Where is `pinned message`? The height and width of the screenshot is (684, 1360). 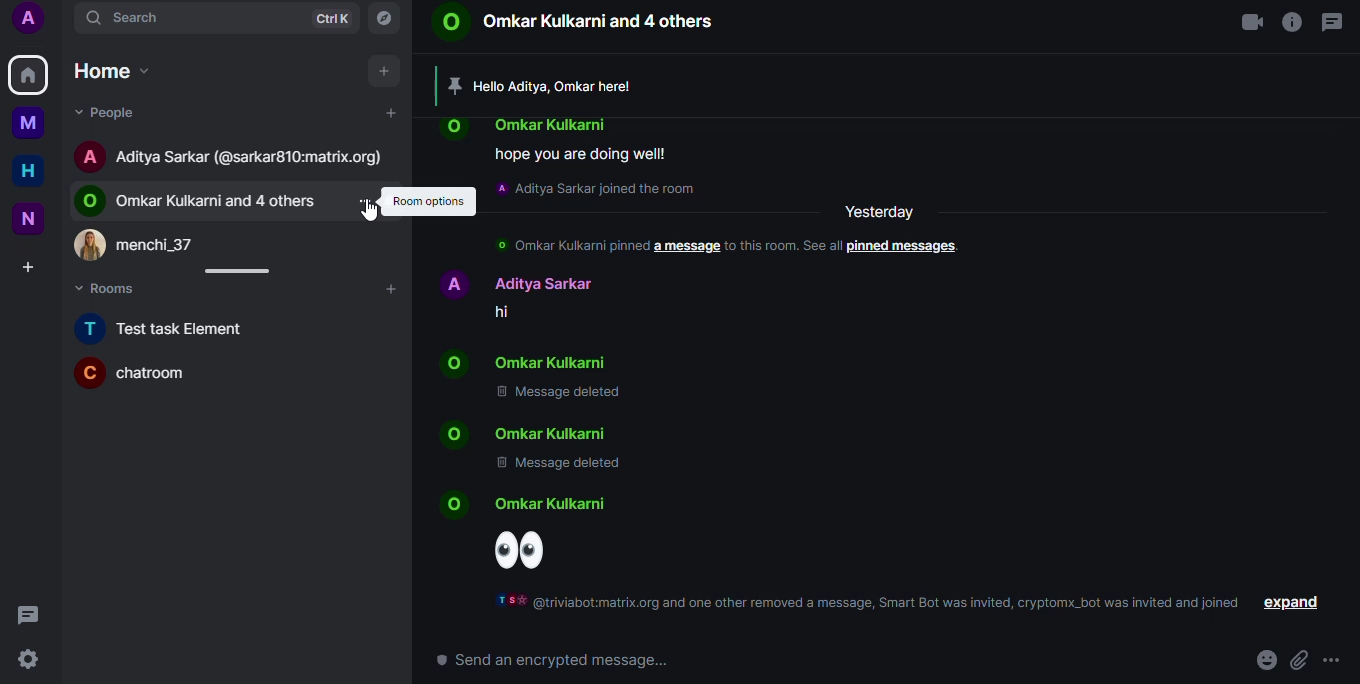
pinned message is located at coordinates (545, 84).